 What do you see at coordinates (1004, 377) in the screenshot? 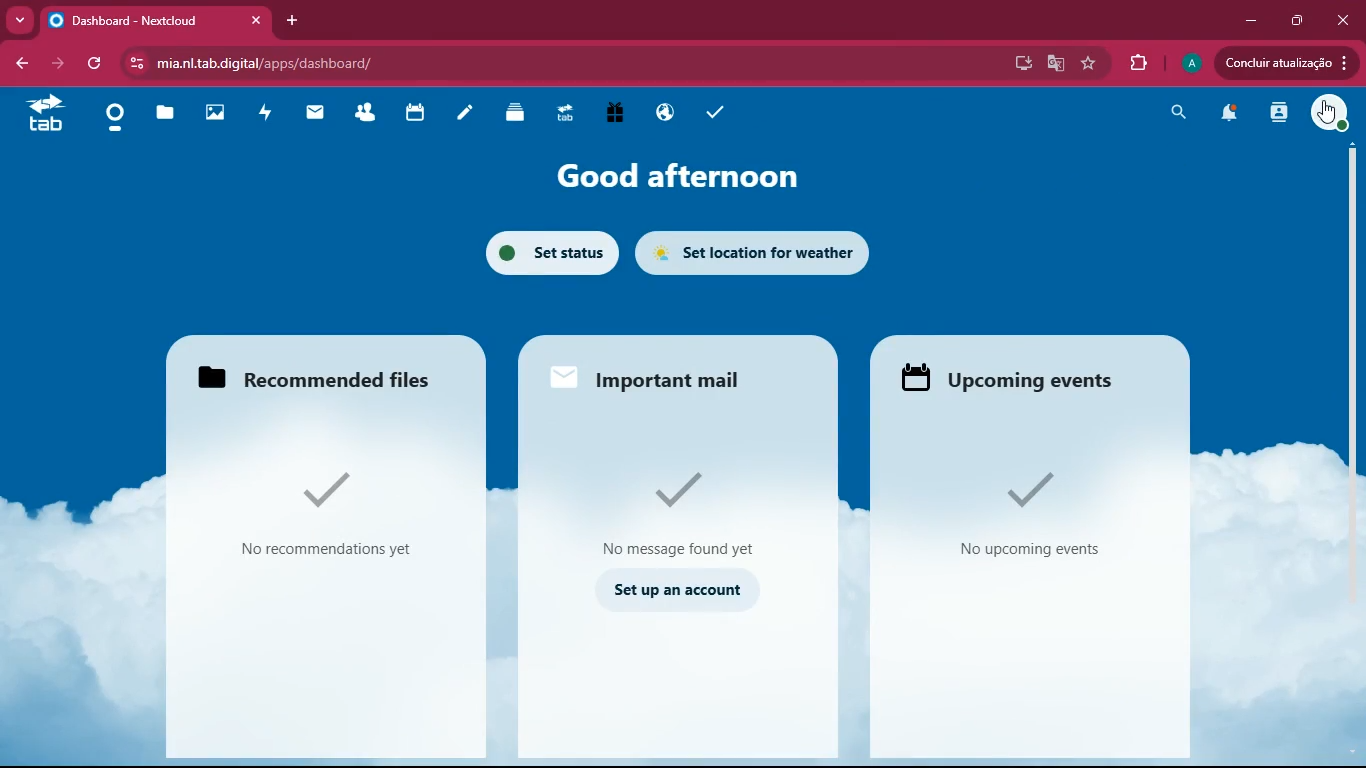
I see `upcoming events` at bounding box center [1004, 377].